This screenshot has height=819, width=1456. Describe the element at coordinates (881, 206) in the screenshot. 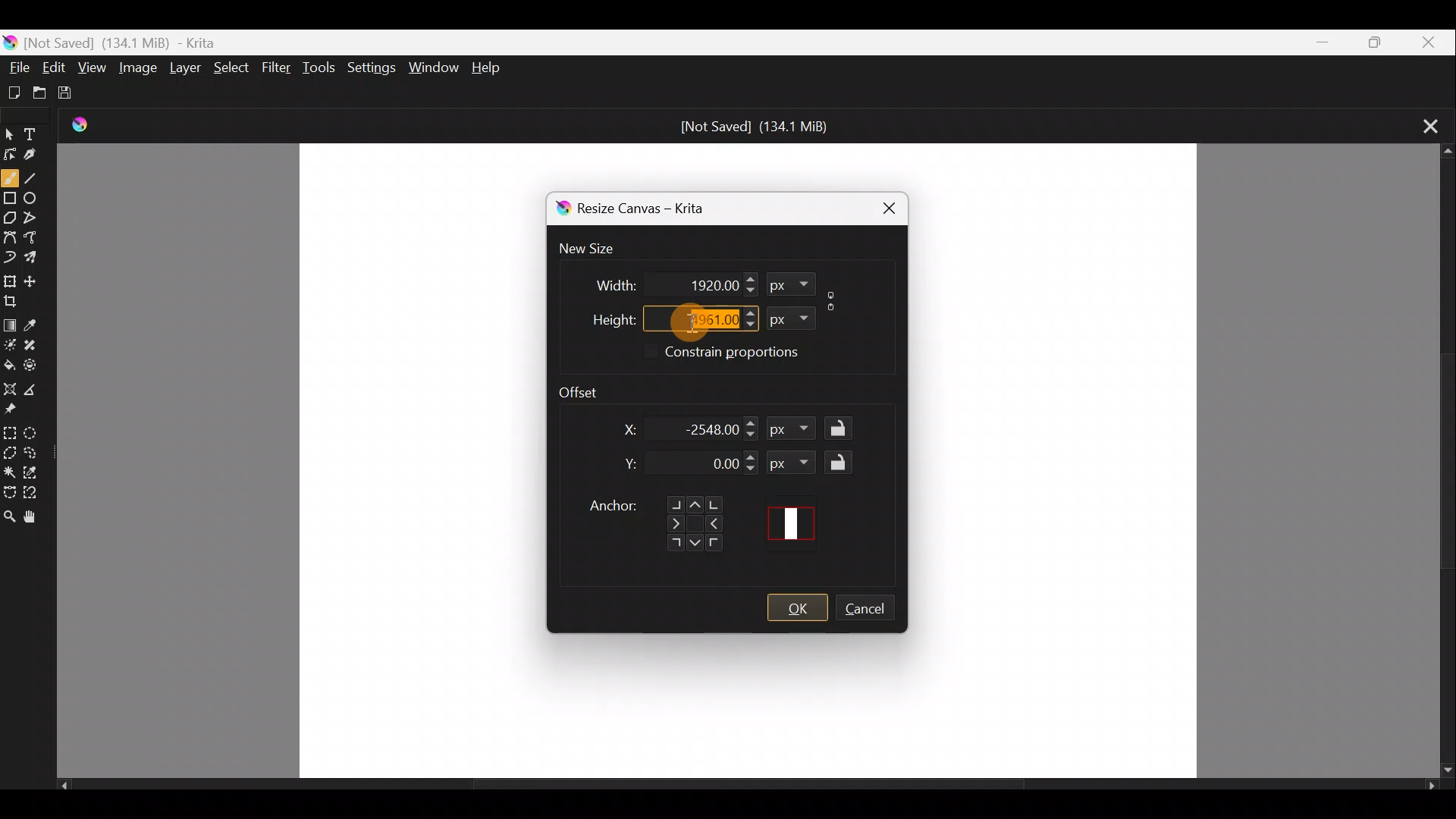

I see `Close` at that location.